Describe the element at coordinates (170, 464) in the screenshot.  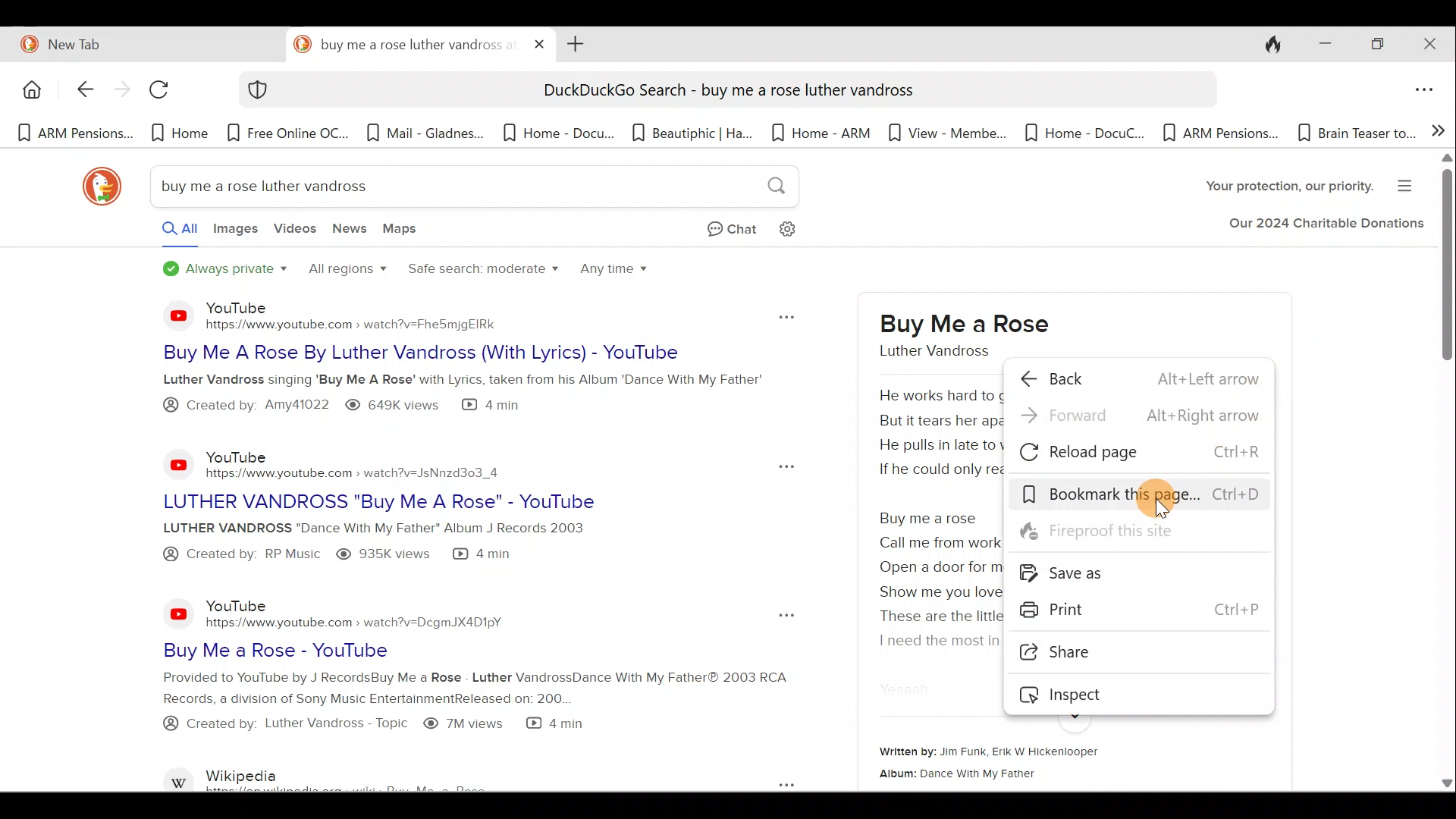
I see `YouTube logo` at that location.